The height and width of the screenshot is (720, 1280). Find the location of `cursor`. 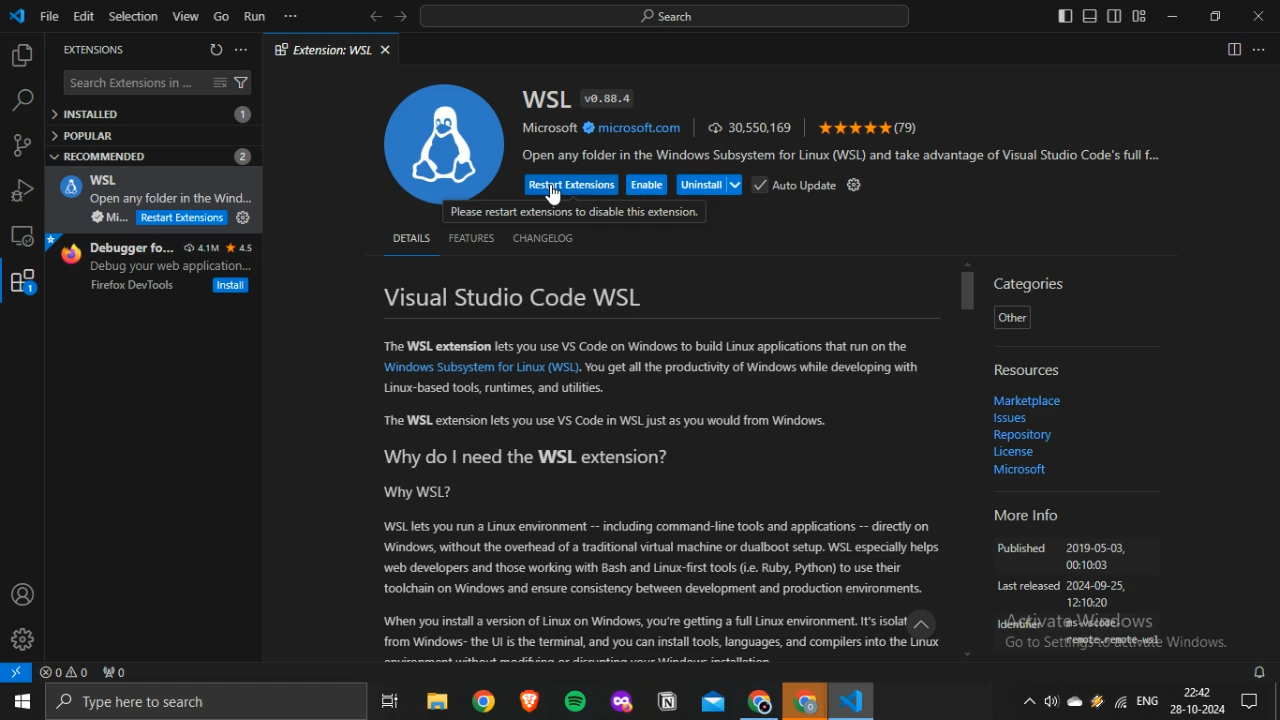

cursor is located at coordinates (553, 195).